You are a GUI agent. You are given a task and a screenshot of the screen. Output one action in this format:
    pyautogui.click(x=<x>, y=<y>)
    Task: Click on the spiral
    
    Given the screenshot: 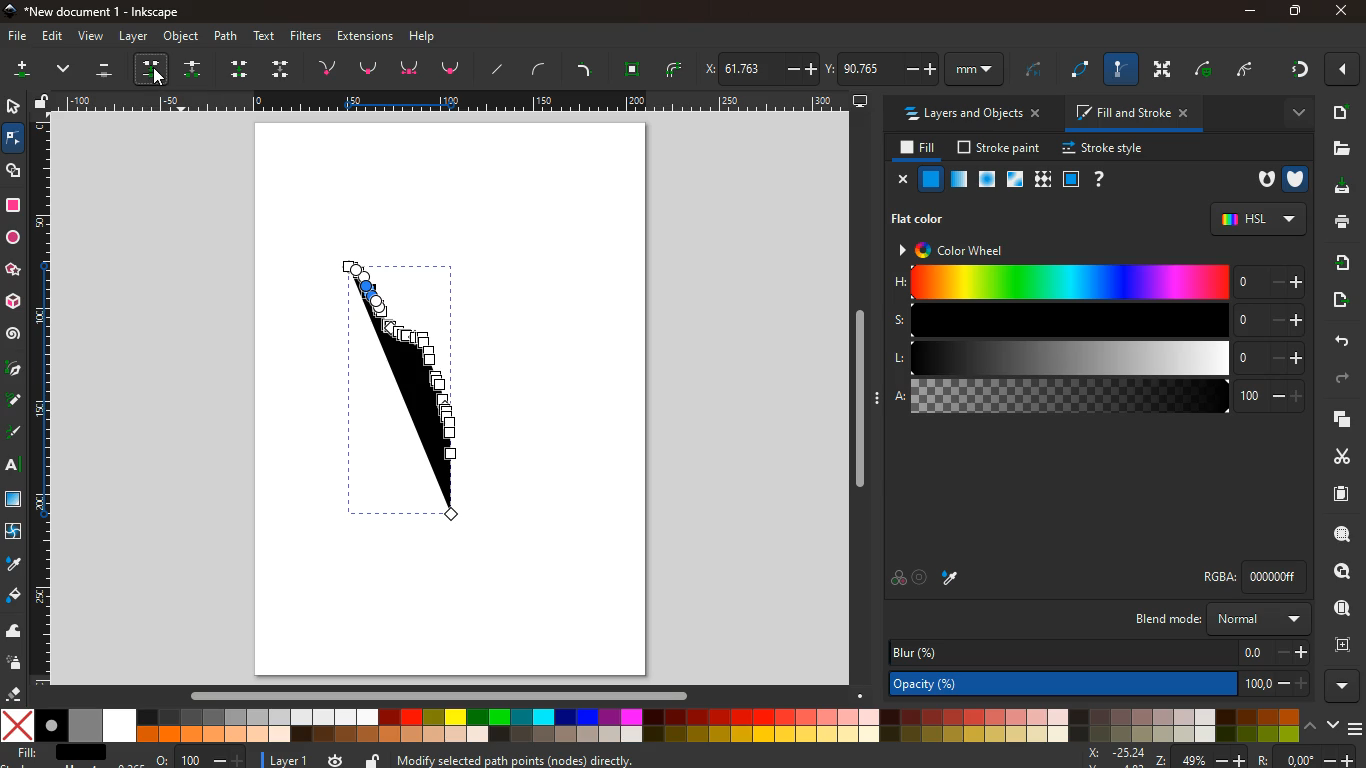 What is the action you would take?
    pyautogui.click(x=13, y=334)
    